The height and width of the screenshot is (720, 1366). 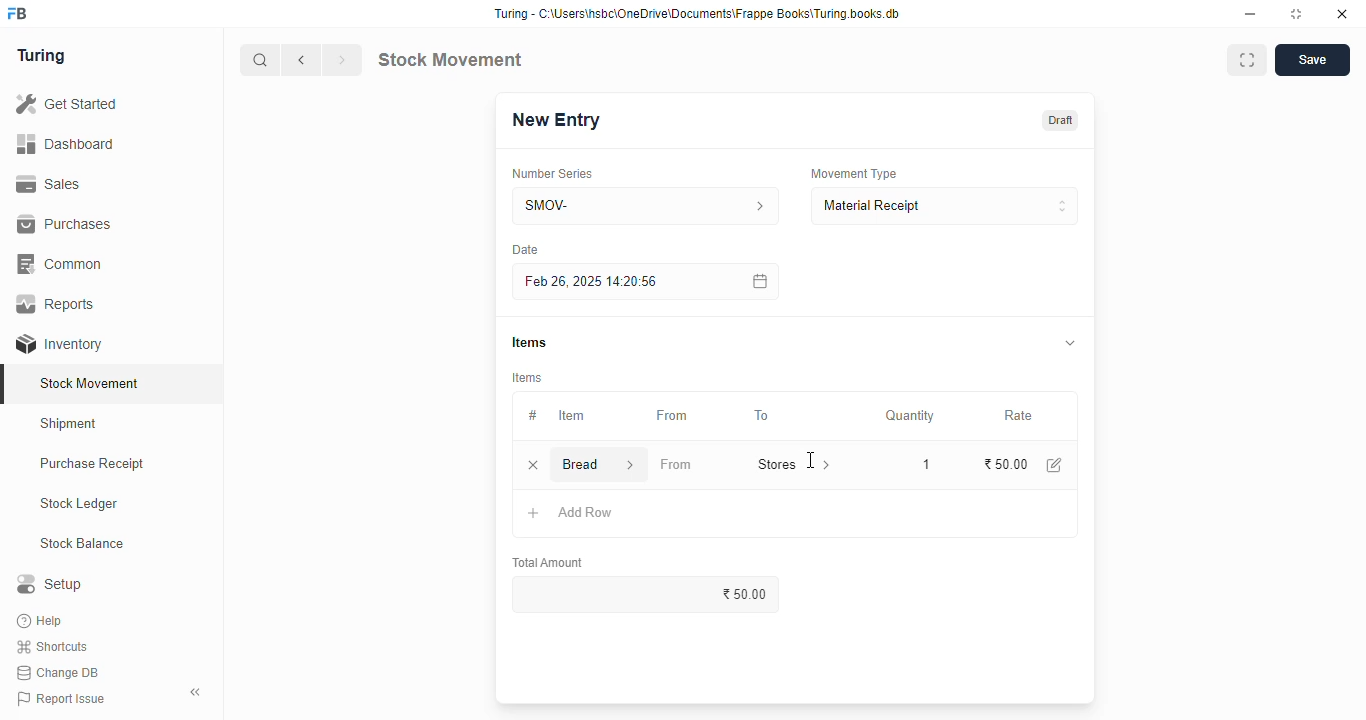 What do you see at coordinates (61, 698) in the screenshot?
I see `report issue` at bounding box center [61, 698].